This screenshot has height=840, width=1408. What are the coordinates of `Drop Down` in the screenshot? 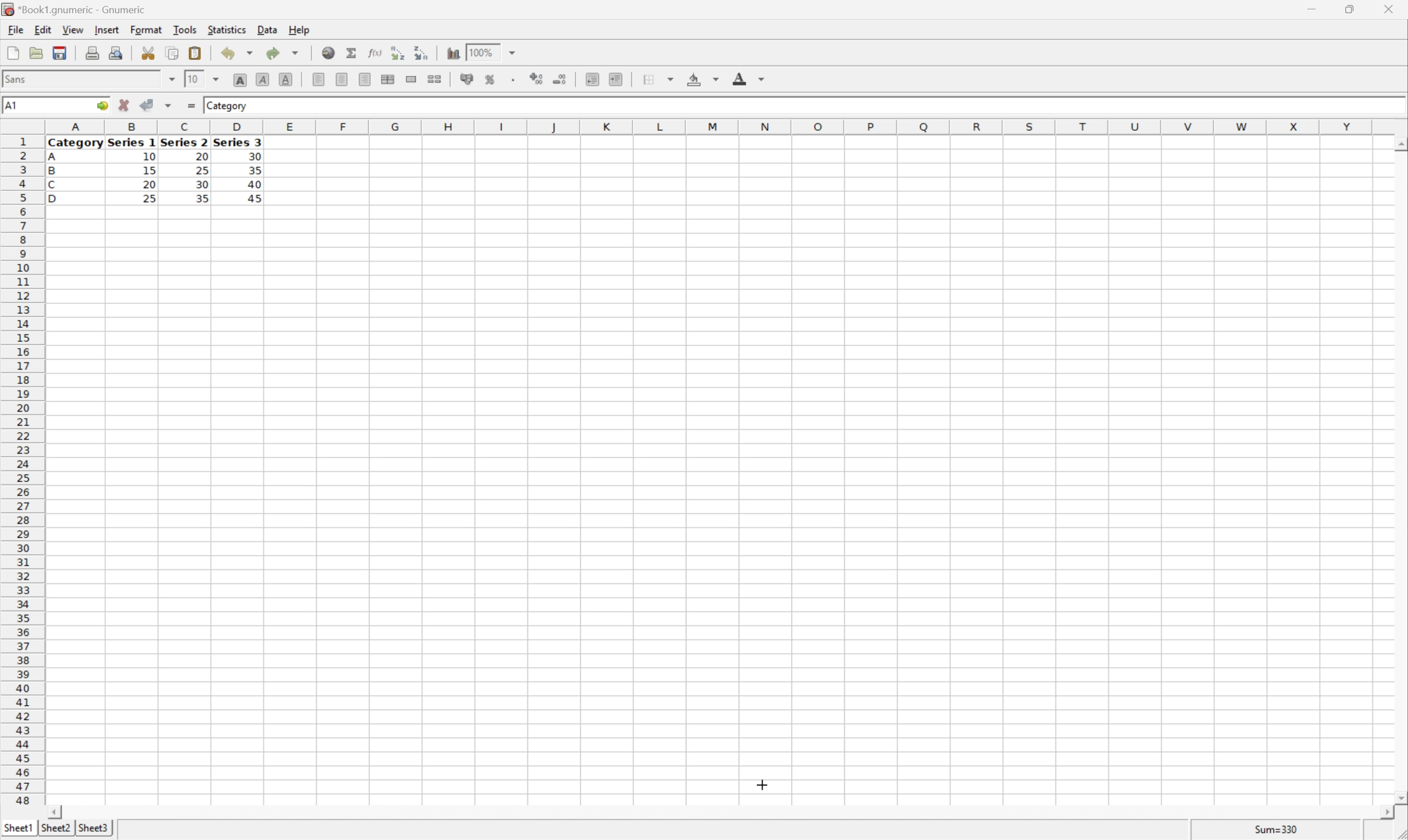 It's located at (172, 79).